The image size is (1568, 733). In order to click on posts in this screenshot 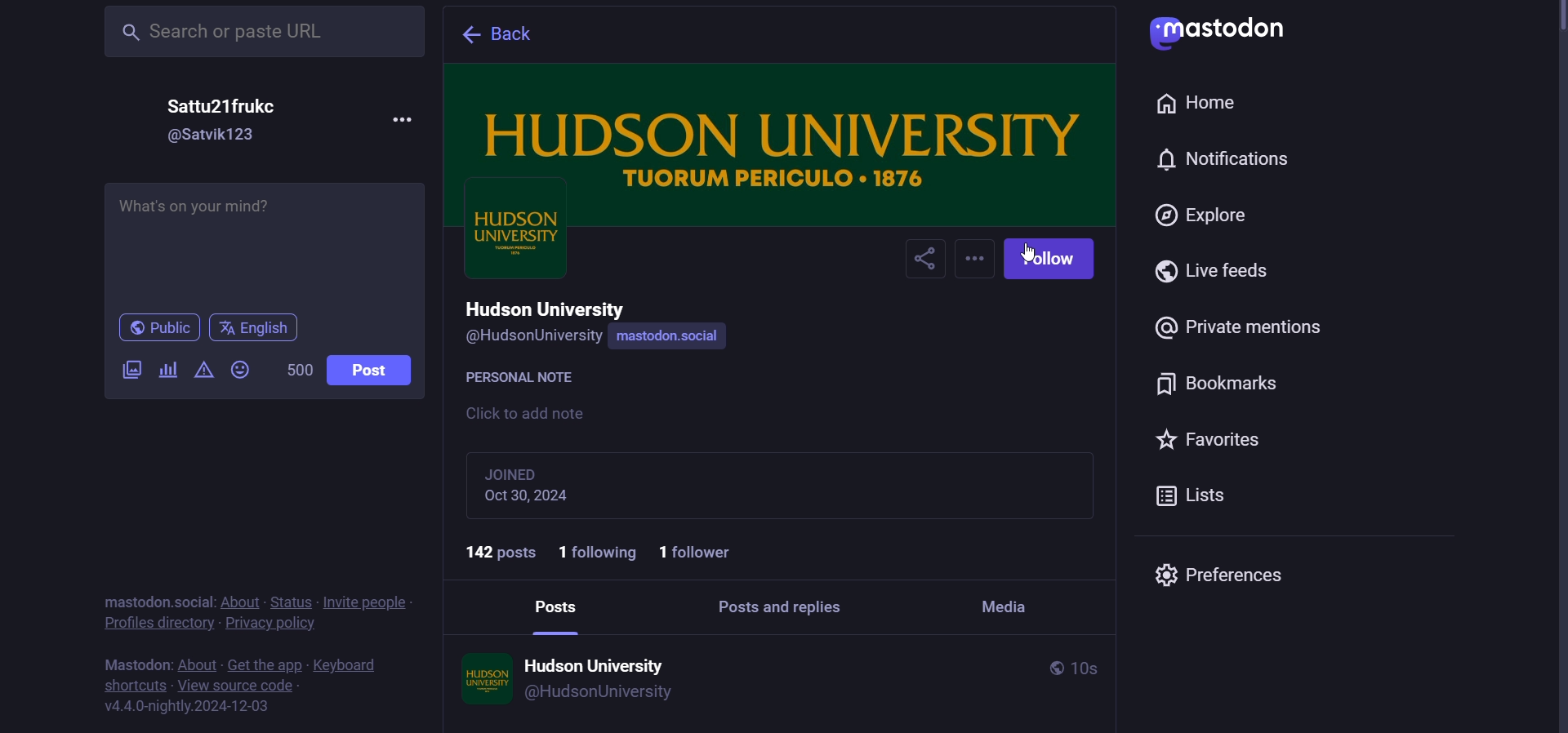, I will do `click(559, 604)`.